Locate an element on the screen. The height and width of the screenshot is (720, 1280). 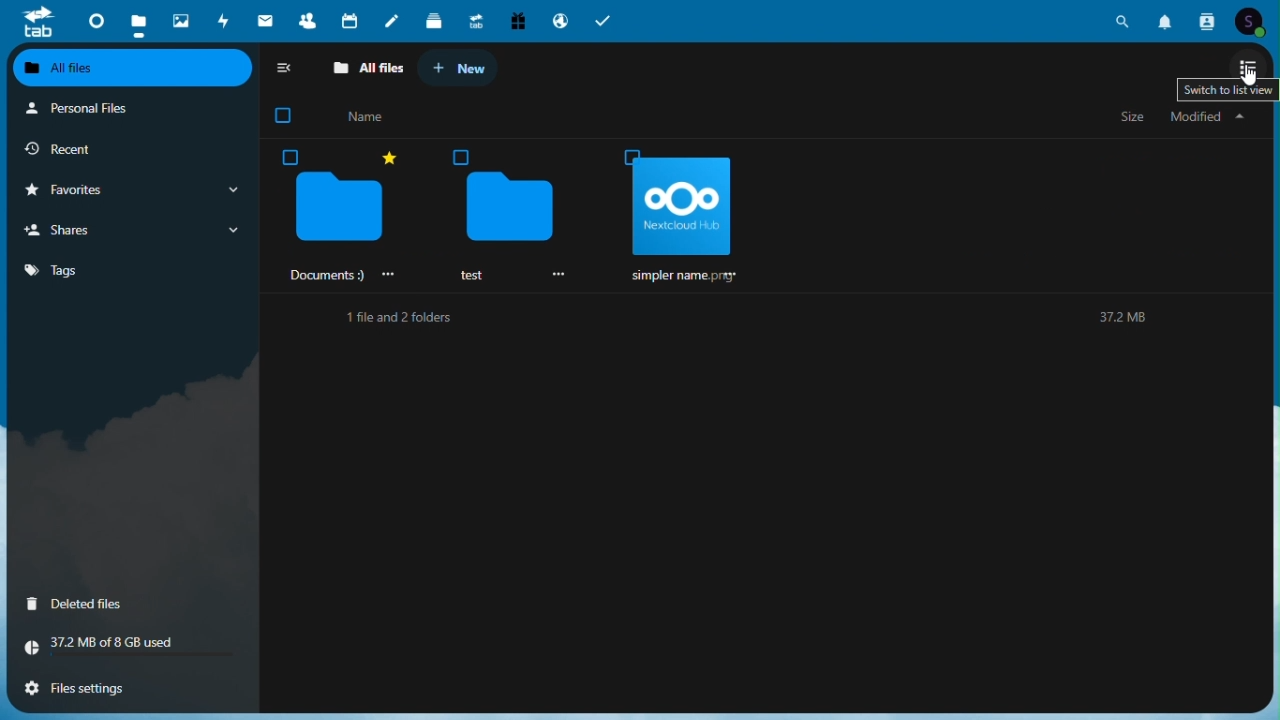
1 file and 2 folders is located at coordinates (749, 318).